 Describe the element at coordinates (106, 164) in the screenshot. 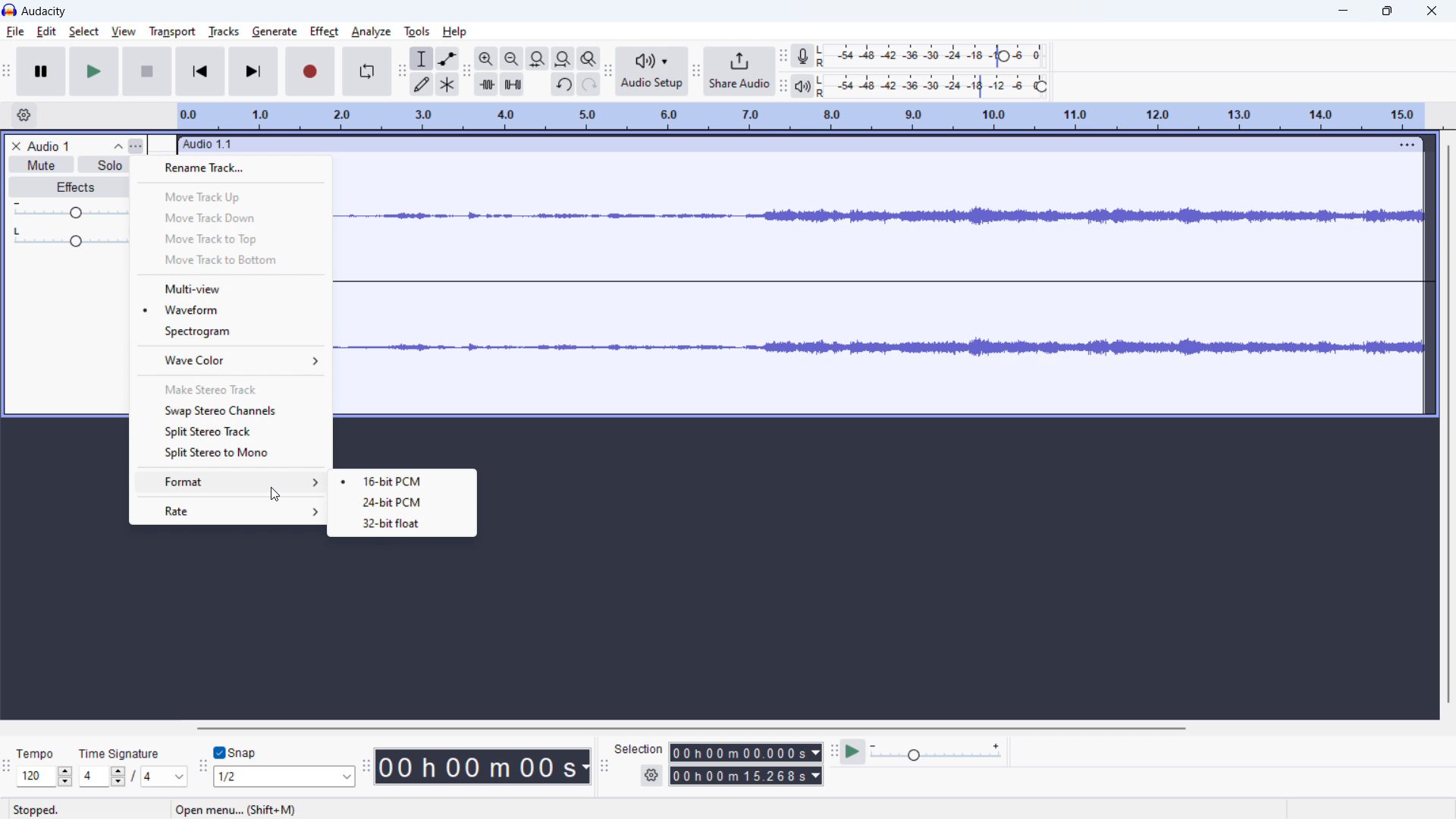

I see `solo` at that location.